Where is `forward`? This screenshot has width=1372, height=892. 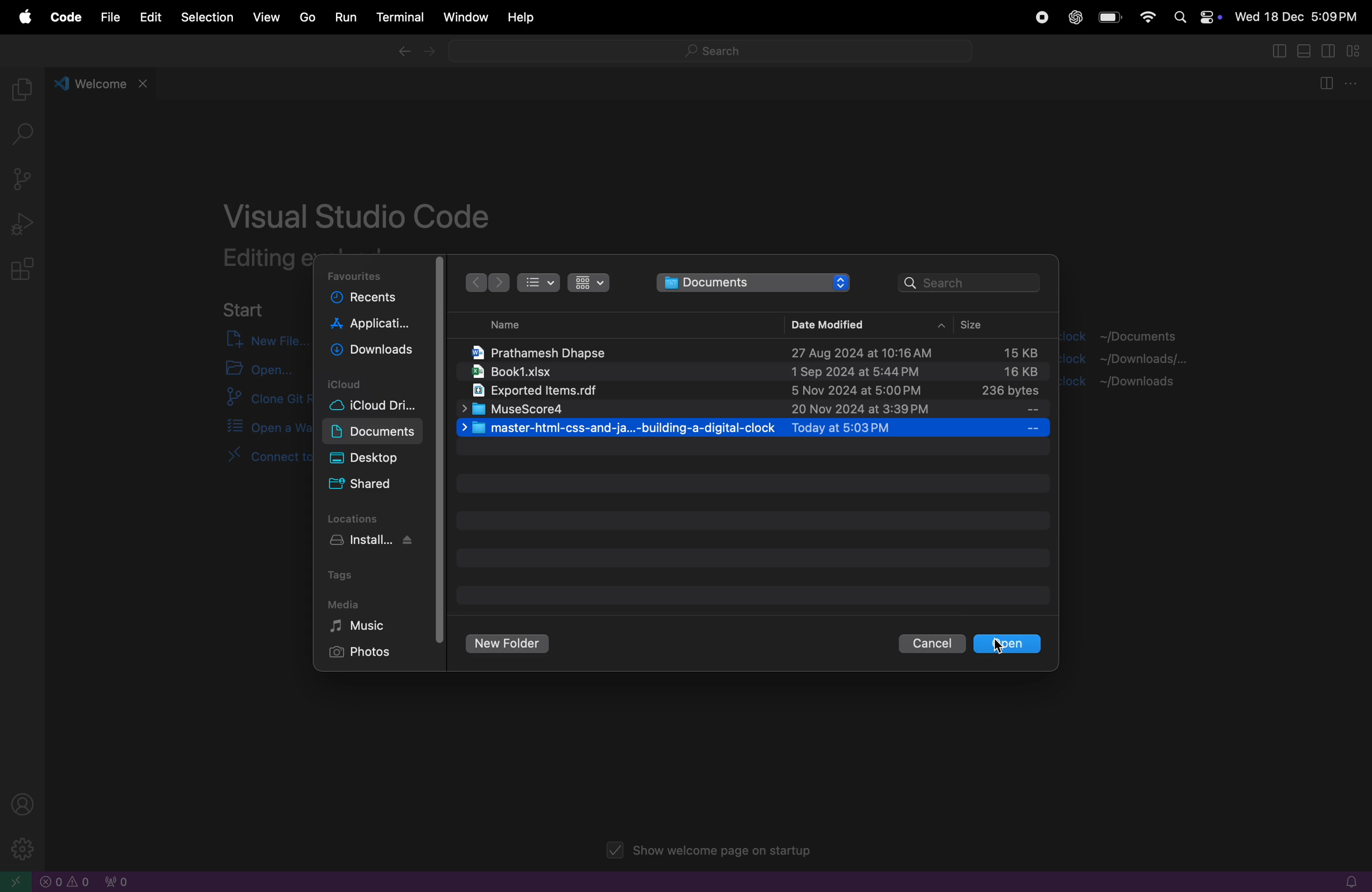 forward is located at coordinates (499, 284).